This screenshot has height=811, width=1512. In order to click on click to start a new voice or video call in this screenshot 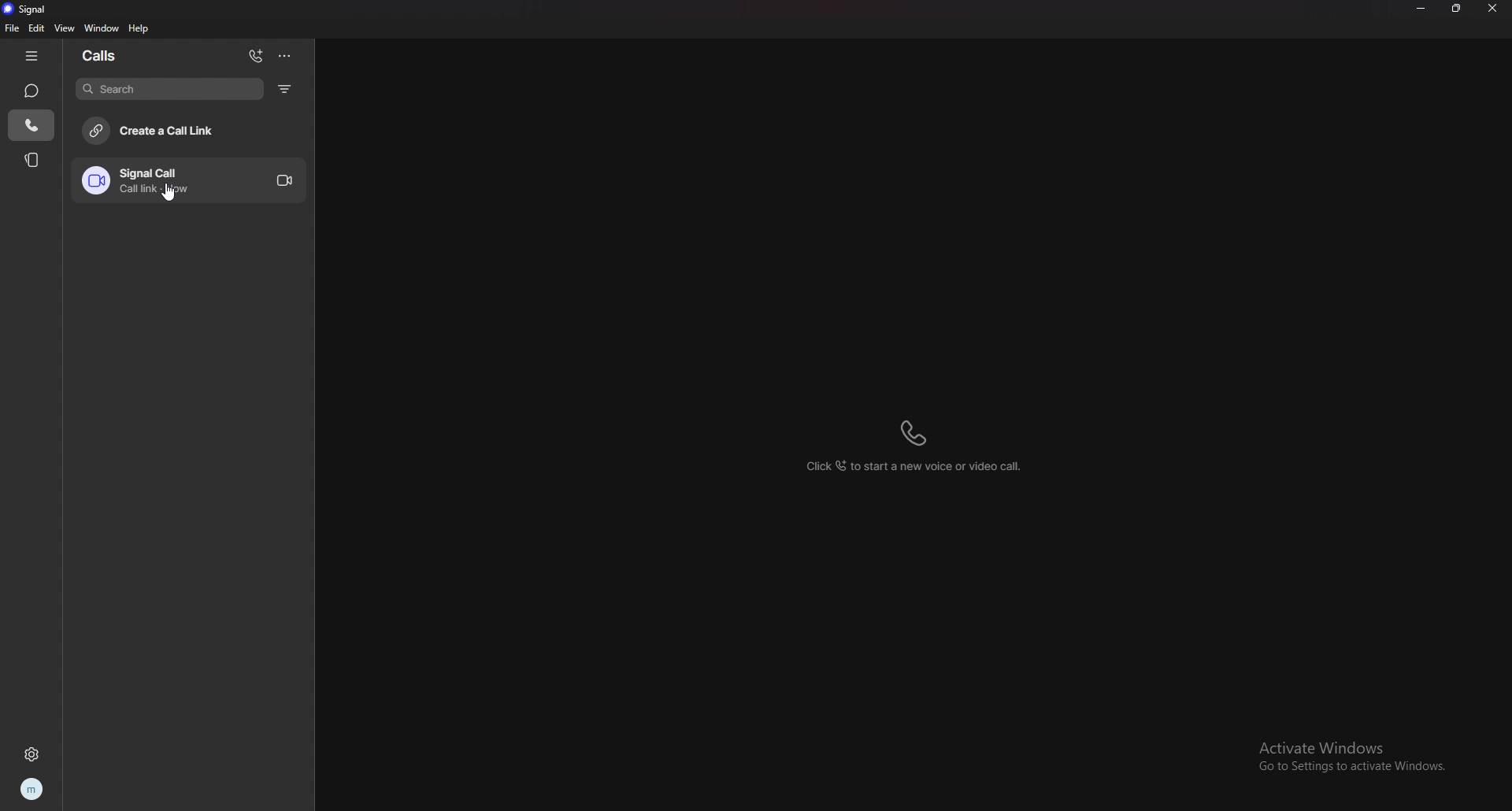, I will do `click(922, 448)`.